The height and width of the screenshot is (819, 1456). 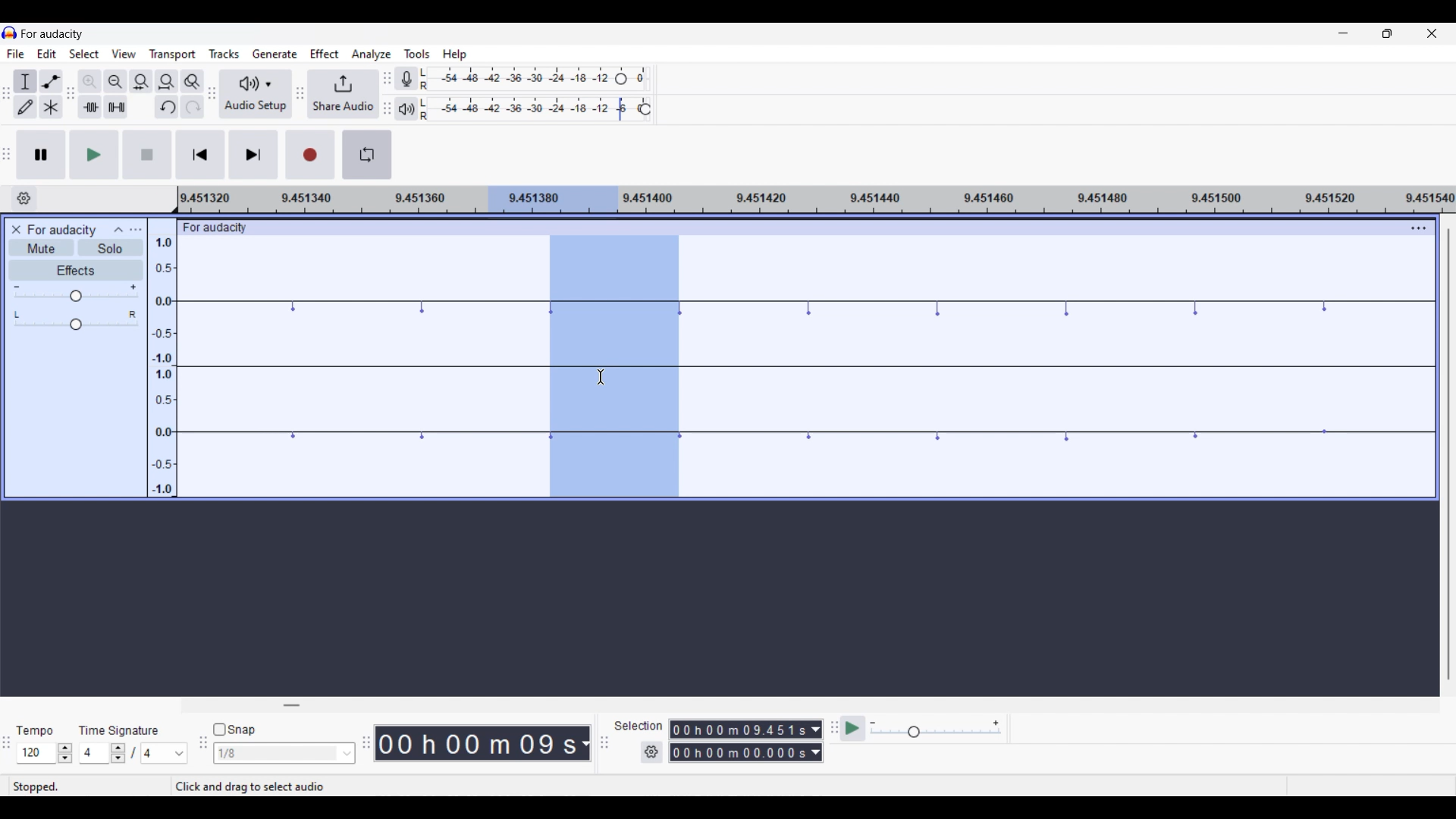 I want to click on Stop, so click(x=148, y=155).